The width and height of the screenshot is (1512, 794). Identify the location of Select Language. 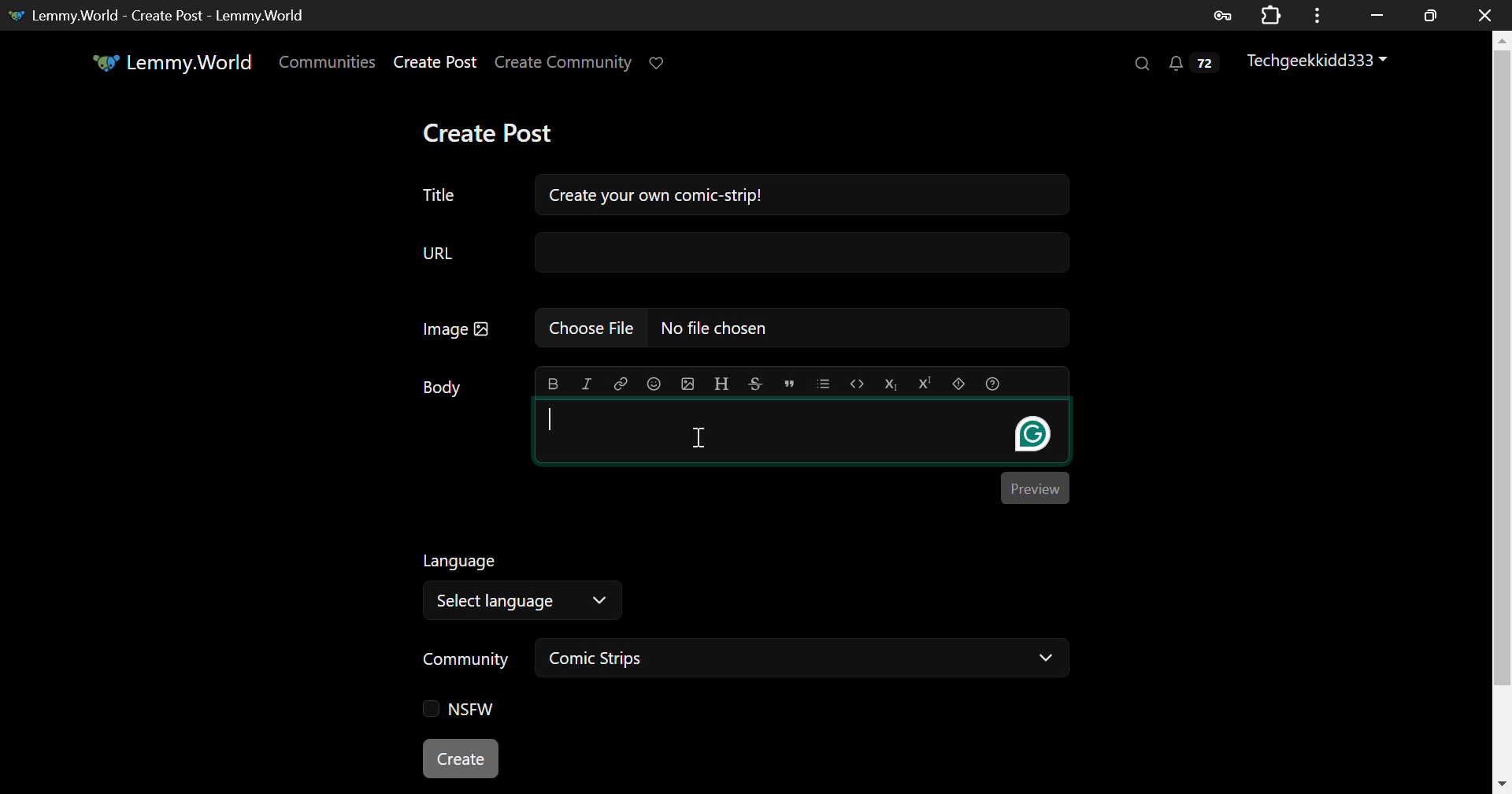
(702, 583).